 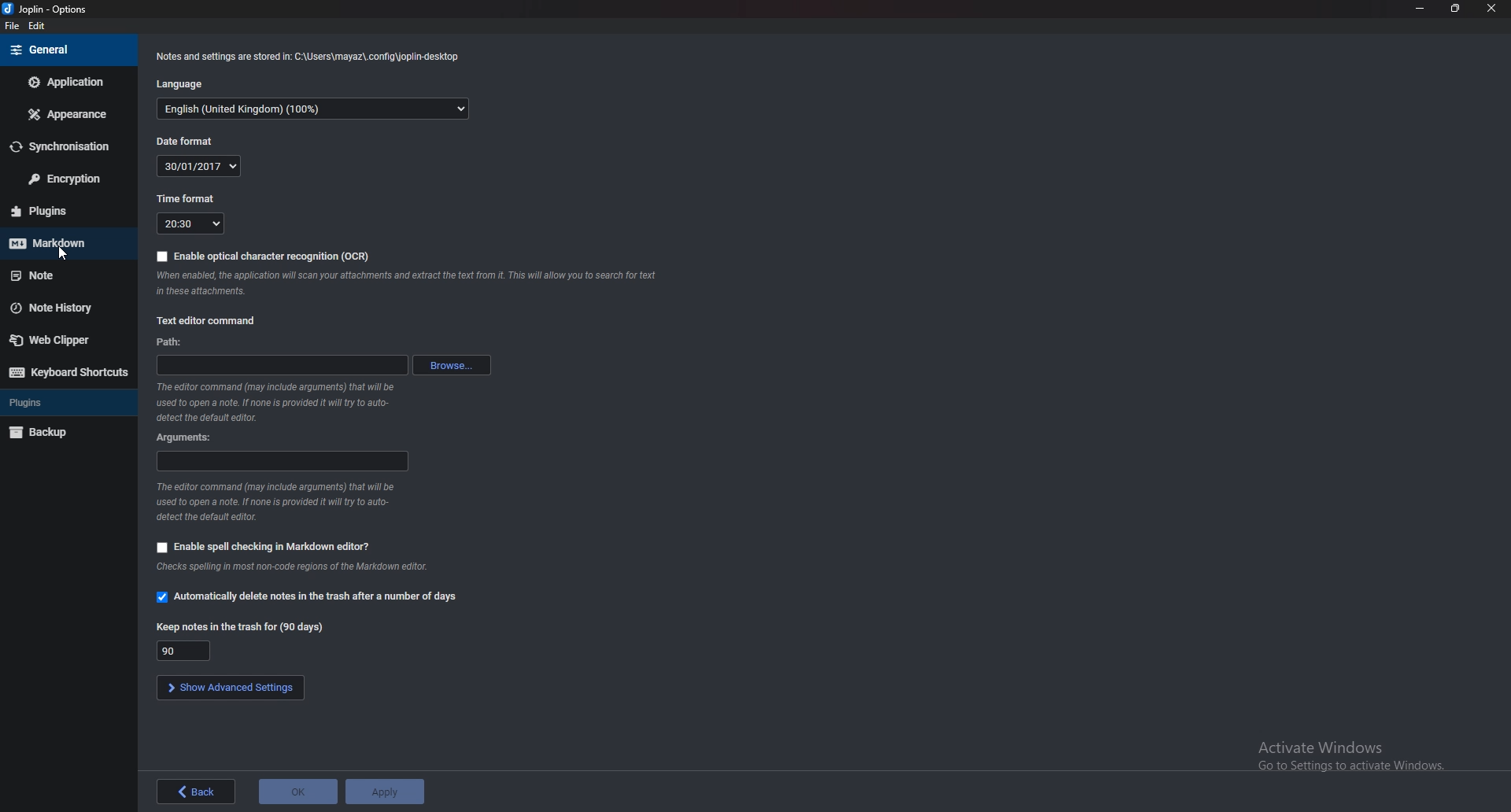 I want to click on Plugins, so click(x=62, y=404).